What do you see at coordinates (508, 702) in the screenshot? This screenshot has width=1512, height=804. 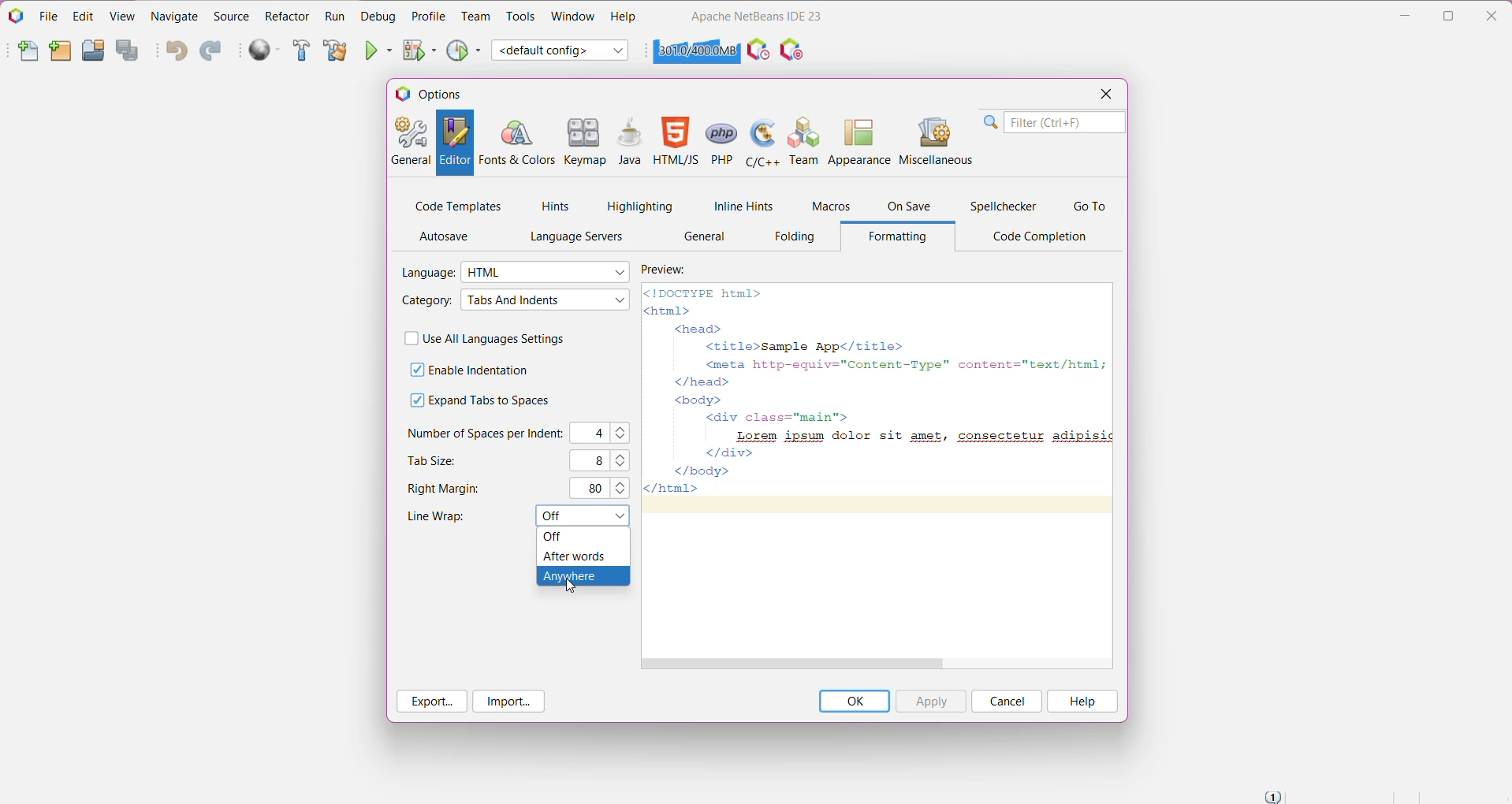 I see `Import` at bounding box center [508, 702].